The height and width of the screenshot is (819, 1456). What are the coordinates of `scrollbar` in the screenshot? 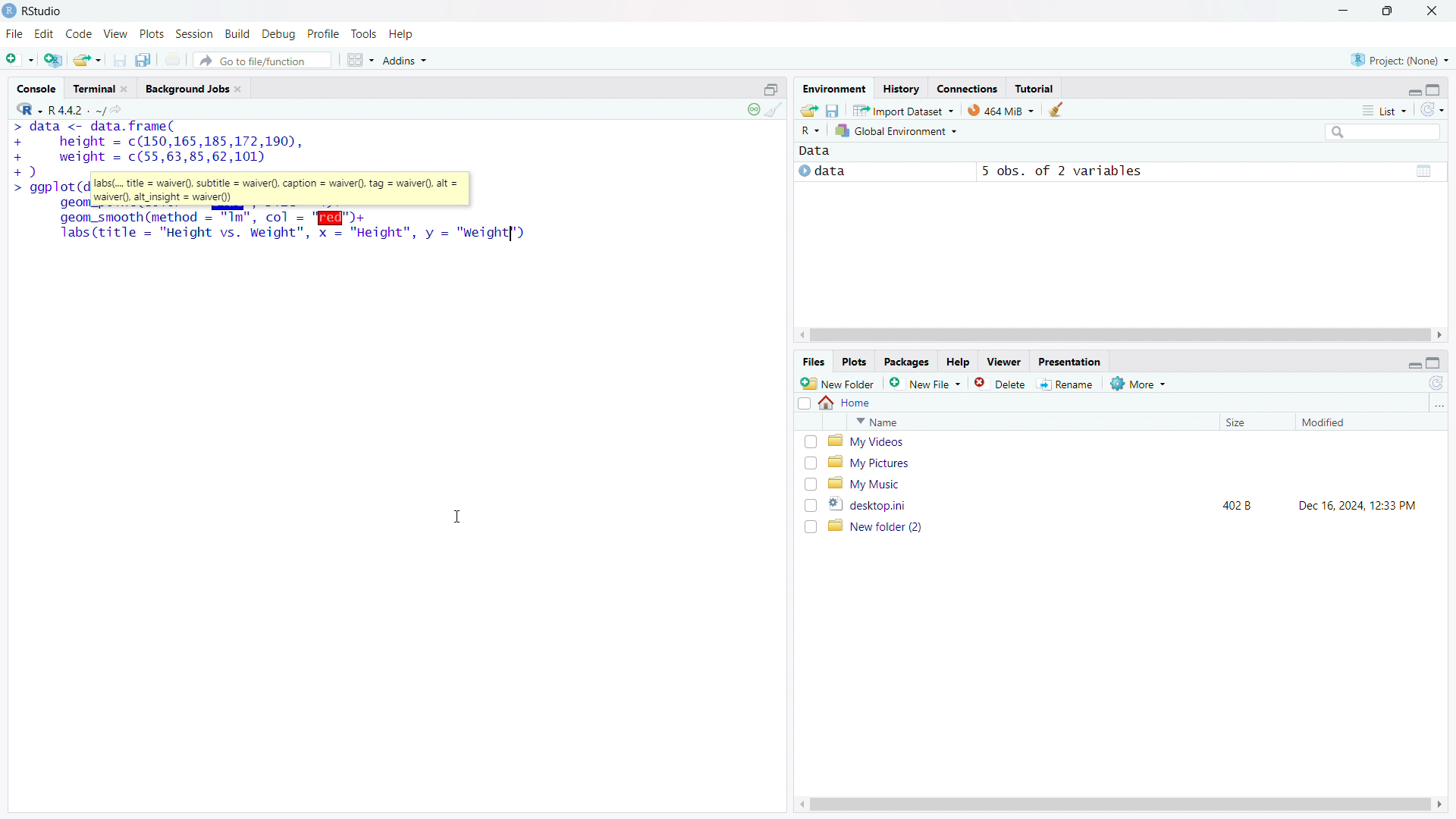 It's located at (1119, 336).